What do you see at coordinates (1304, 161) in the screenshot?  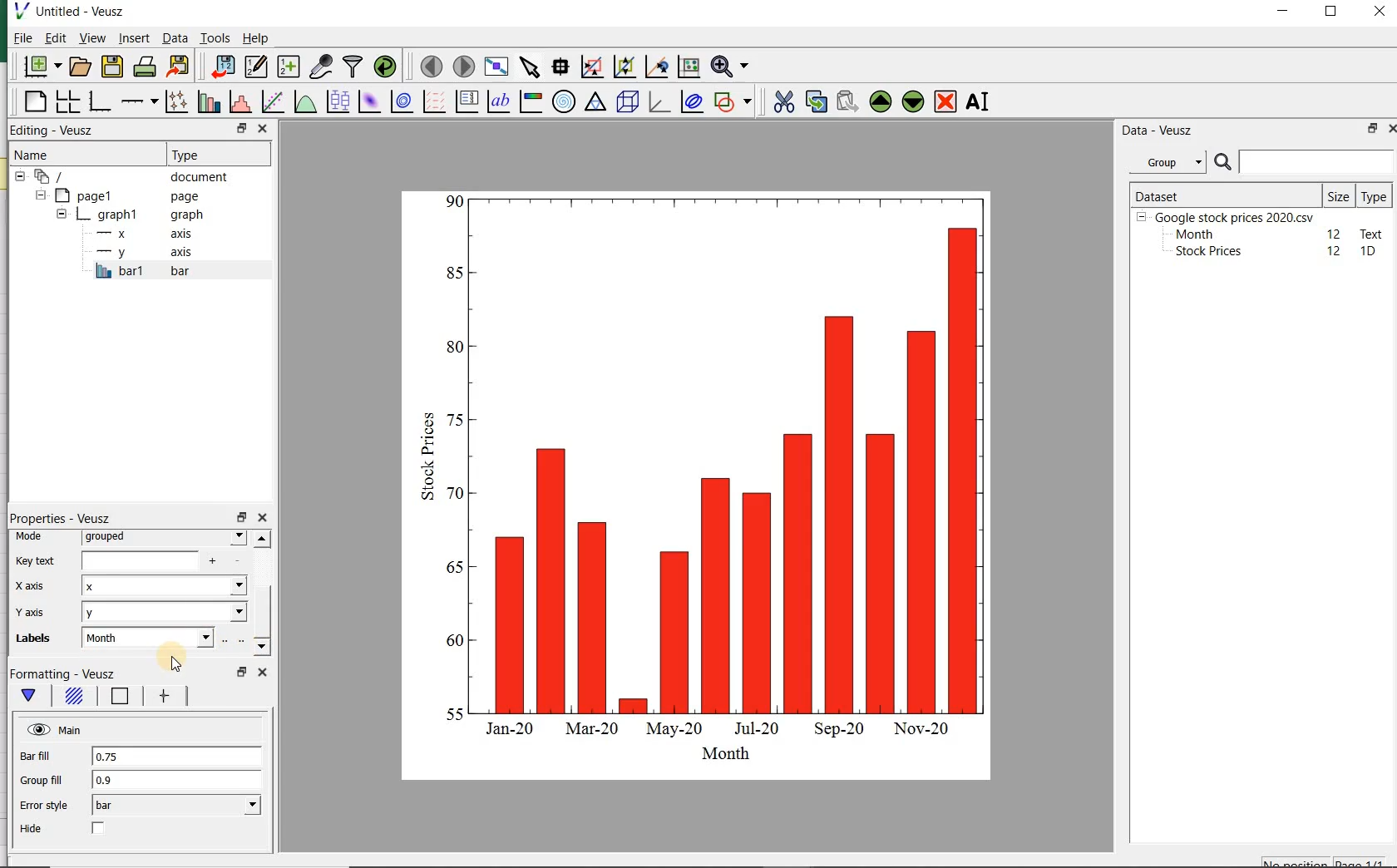 I see `SEARCH DATASET` at bounding box center [1304, 161].